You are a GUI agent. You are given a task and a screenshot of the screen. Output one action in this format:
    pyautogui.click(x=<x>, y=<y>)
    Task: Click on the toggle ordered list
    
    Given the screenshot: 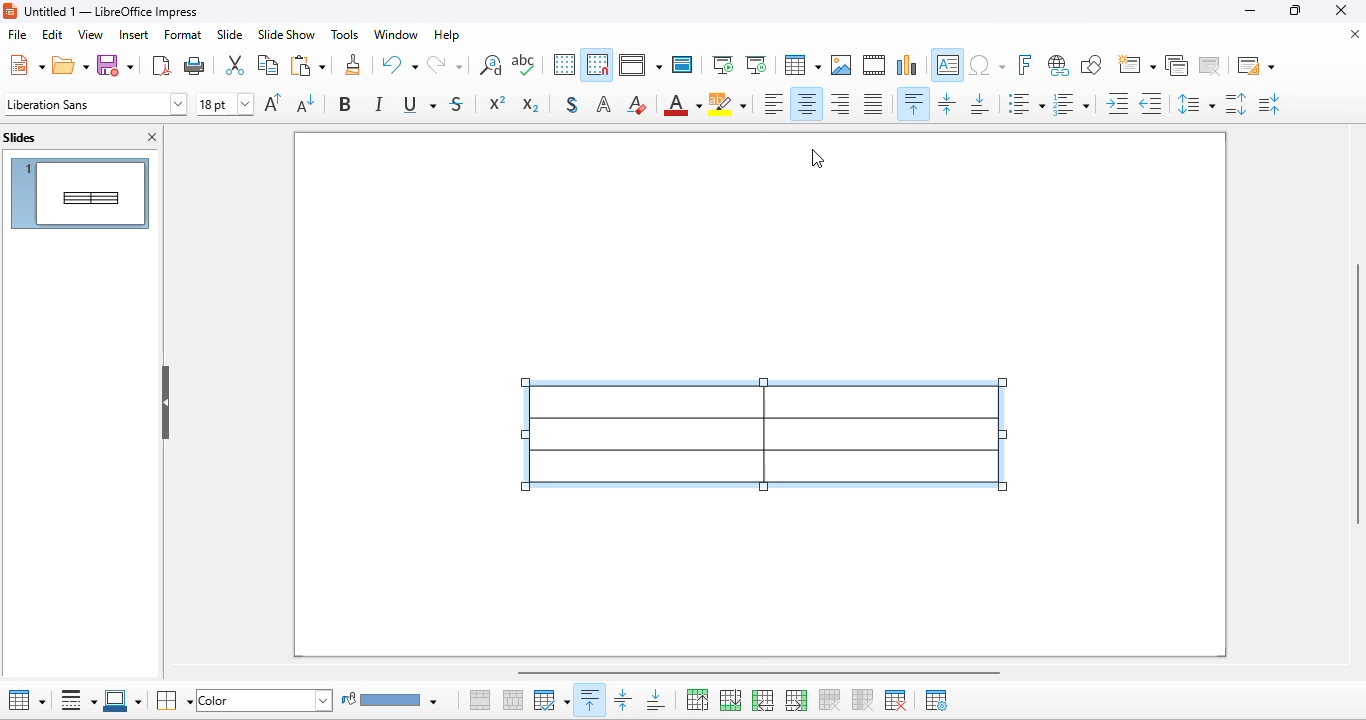 What is the action you would take?
    pyautogui.click(x=1071, y=104)
    